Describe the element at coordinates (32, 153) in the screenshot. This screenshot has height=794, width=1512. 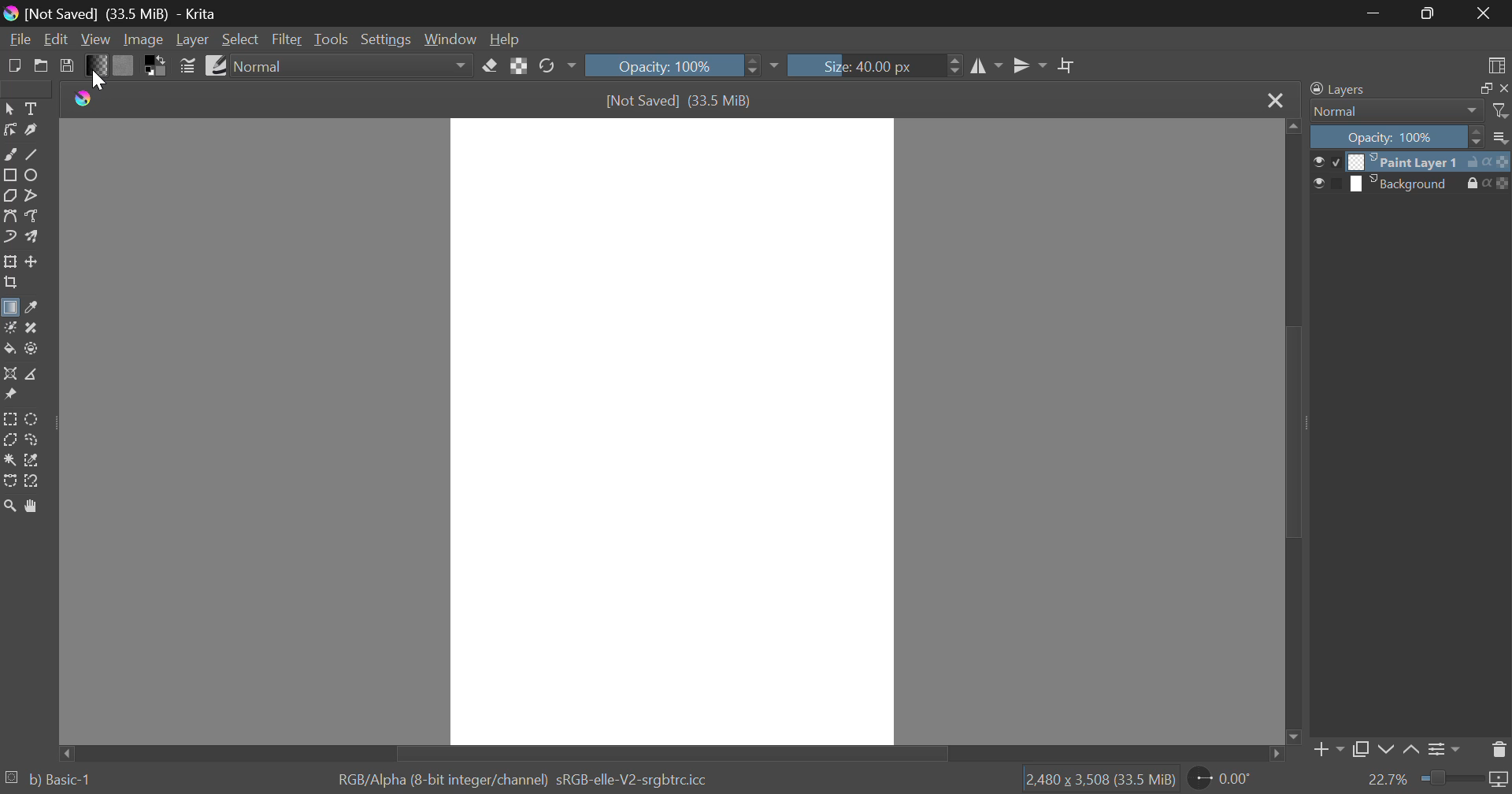
I see `Line` at that location.